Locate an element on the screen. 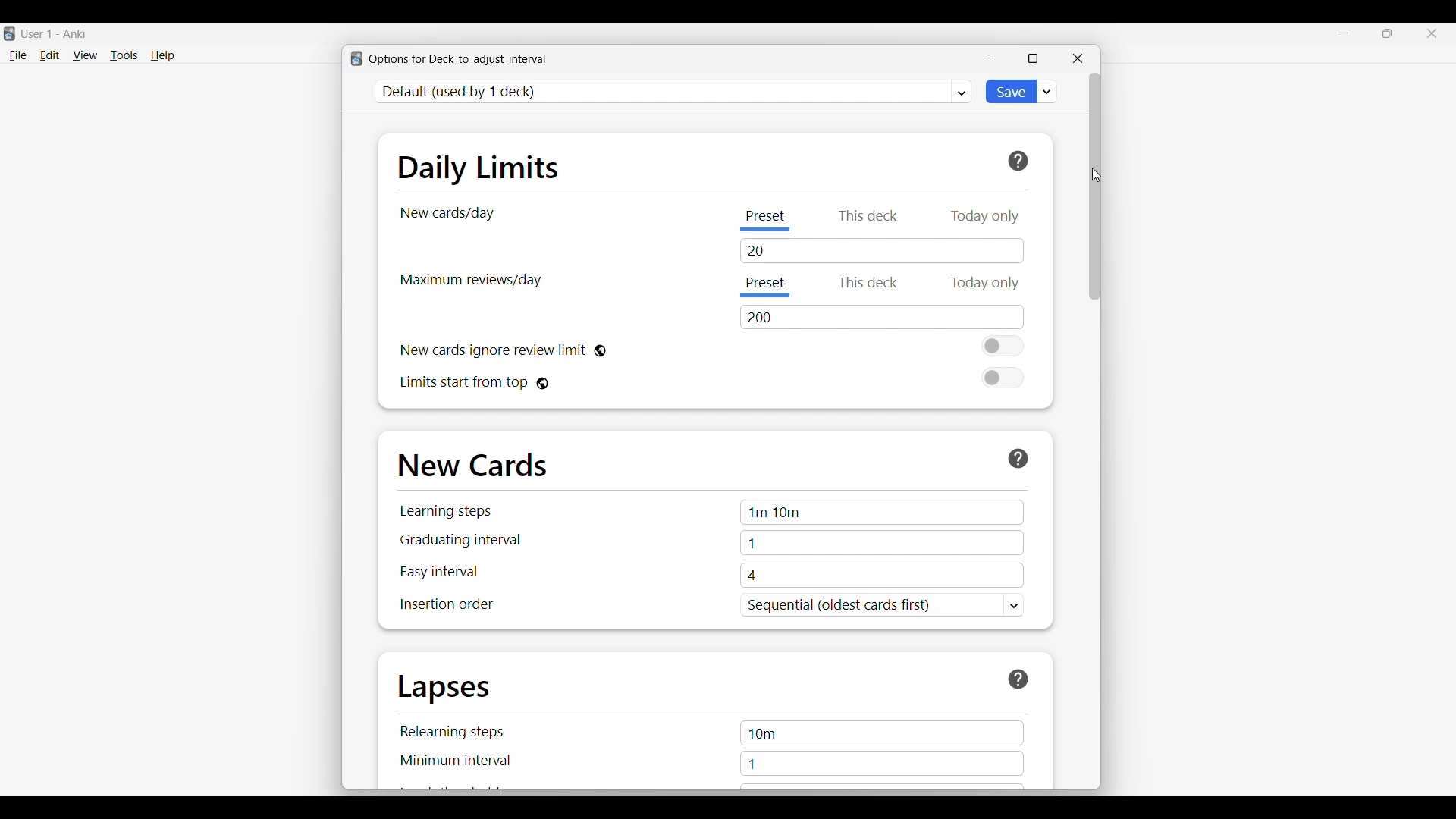 Image resolution: width=1456 pixels, height=819 pixels. Indicates easy interval is located at coordinates (439, 572).